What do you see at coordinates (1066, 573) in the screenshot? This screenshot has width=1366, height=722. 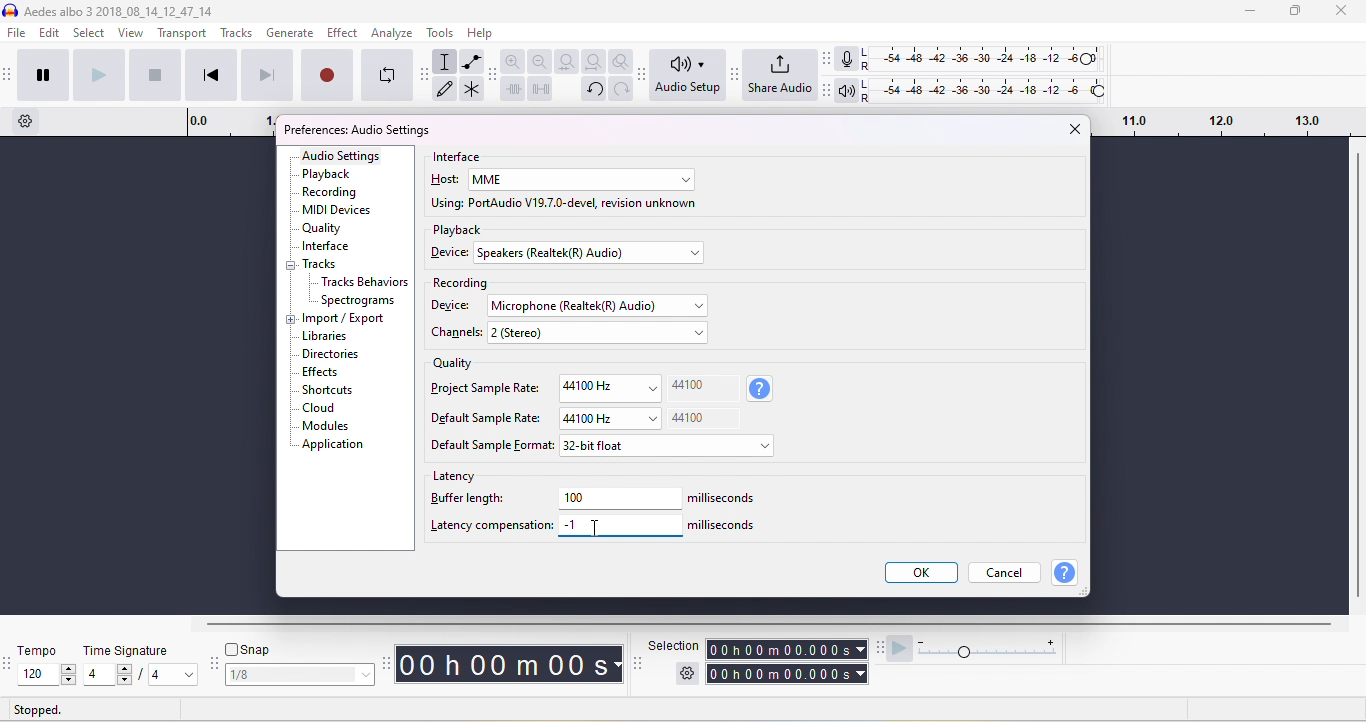 I see `help` at bounding box center [1066, 573].